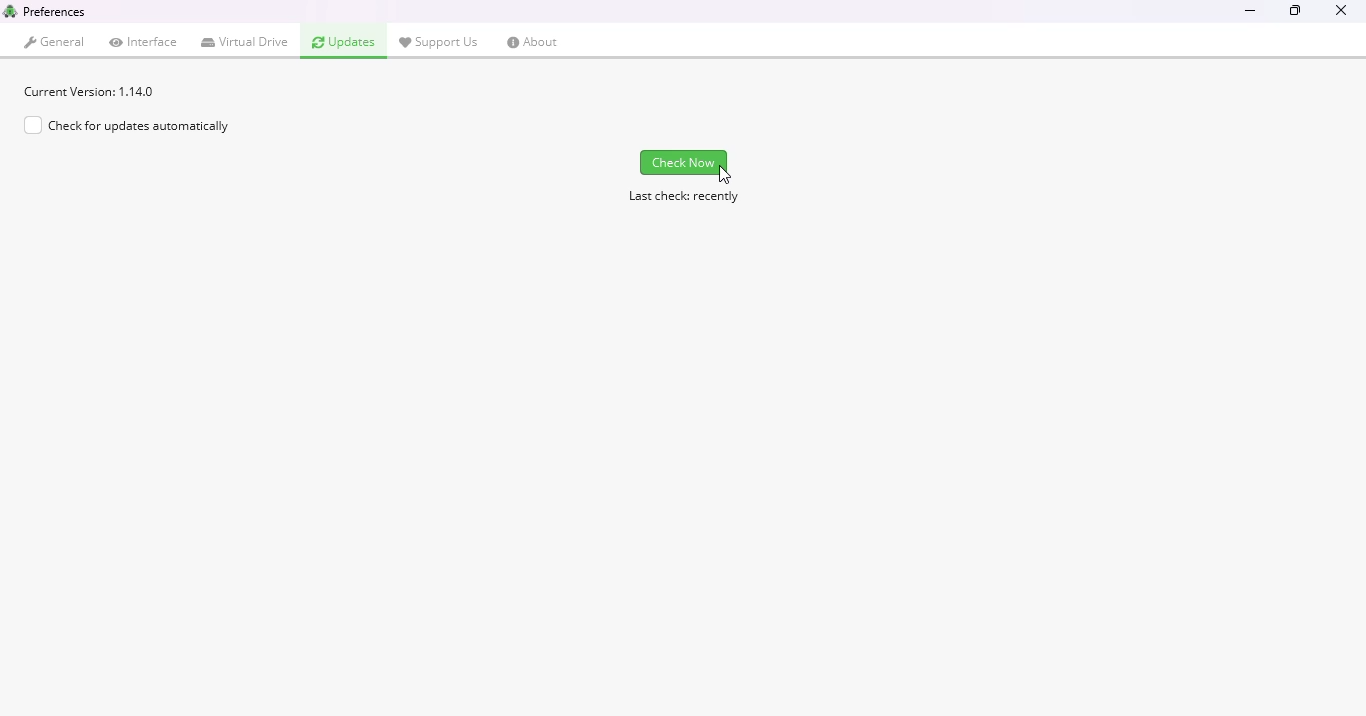 This screenshot has height=716, width=1366. I want to click on support us, so click(439, 41).